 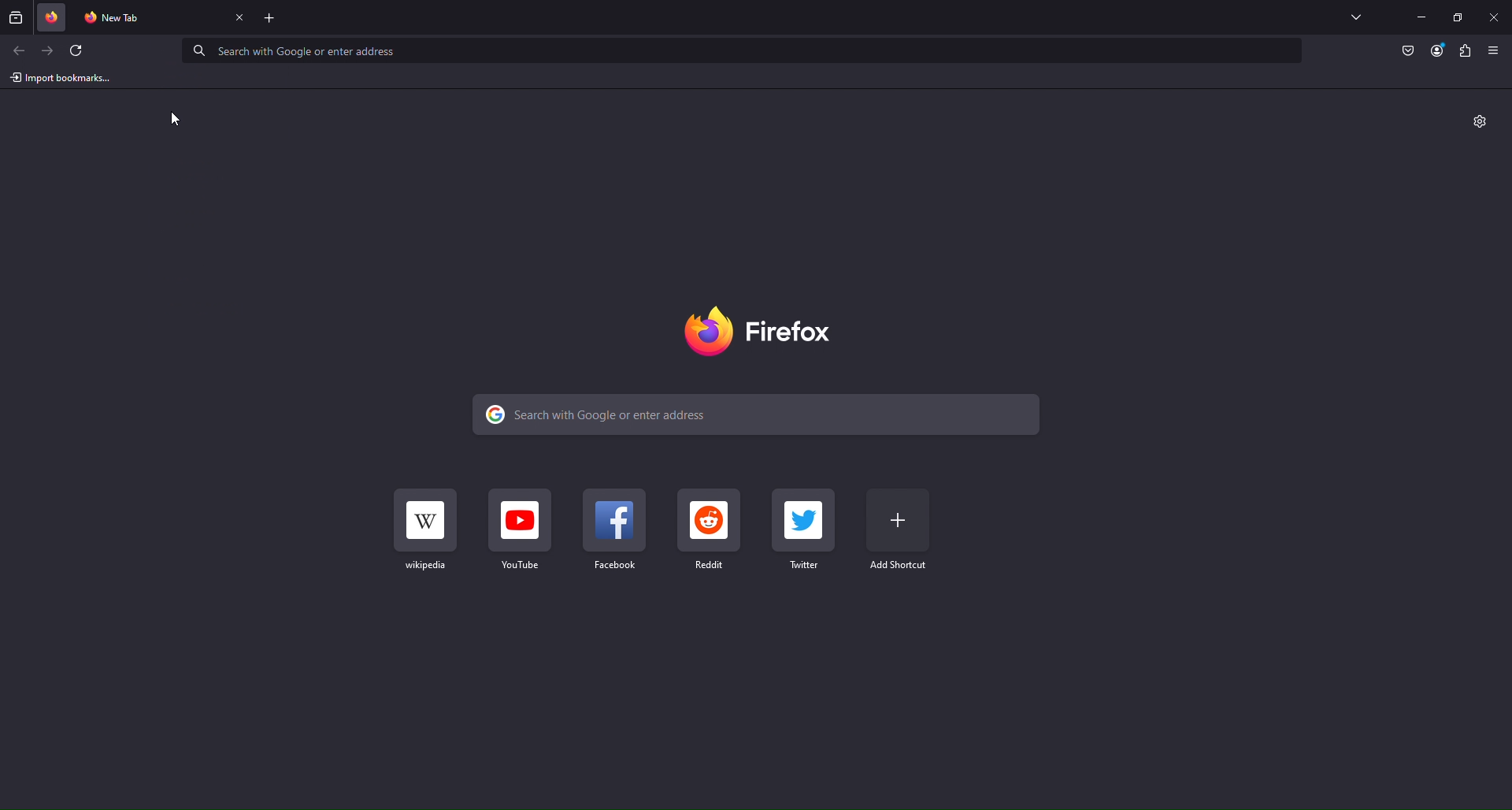 I want to click on Youtube Shortcut, so click(x=524, y=530).